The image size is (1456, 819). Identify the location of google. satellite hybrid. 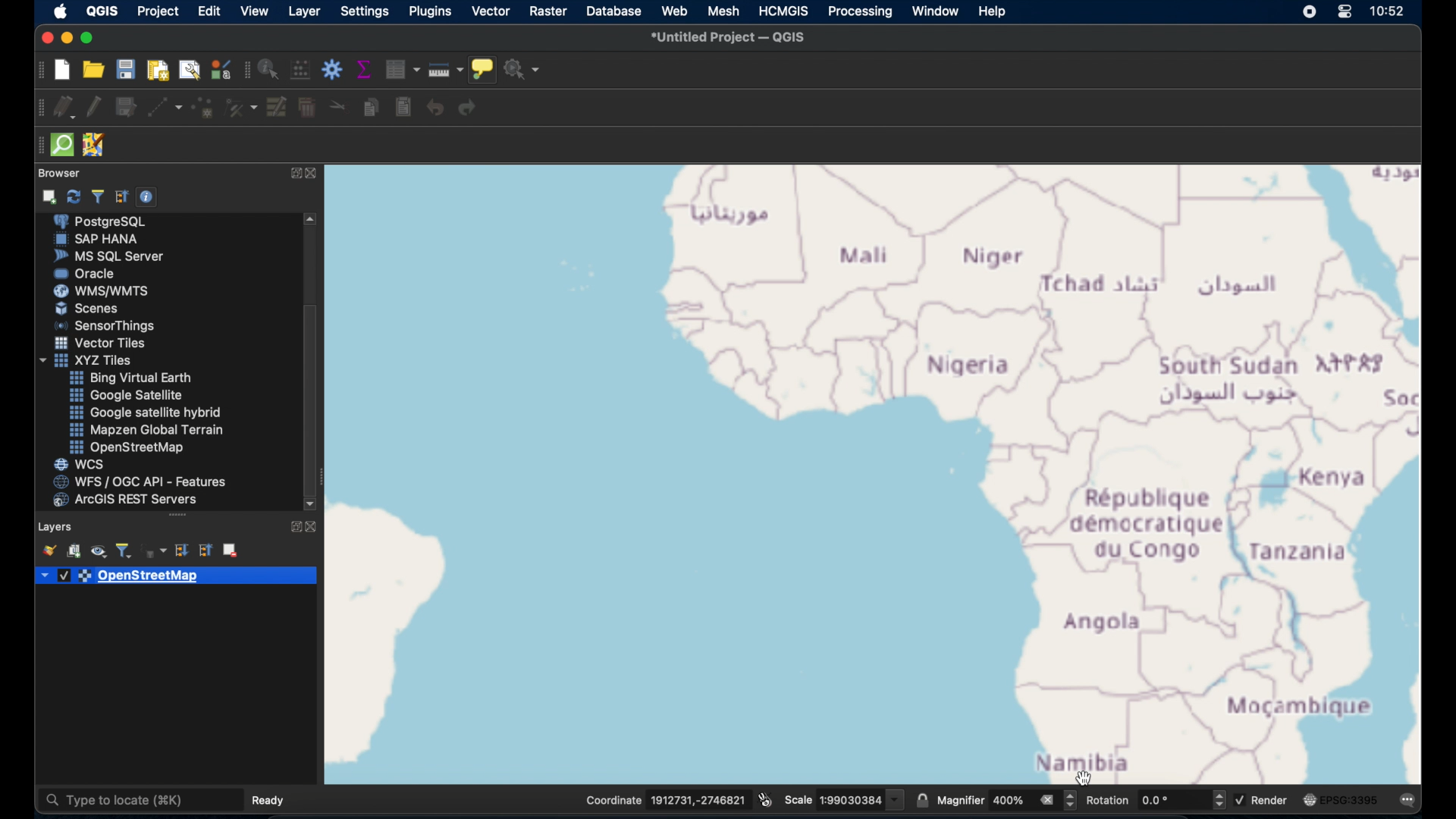
(144, 414).